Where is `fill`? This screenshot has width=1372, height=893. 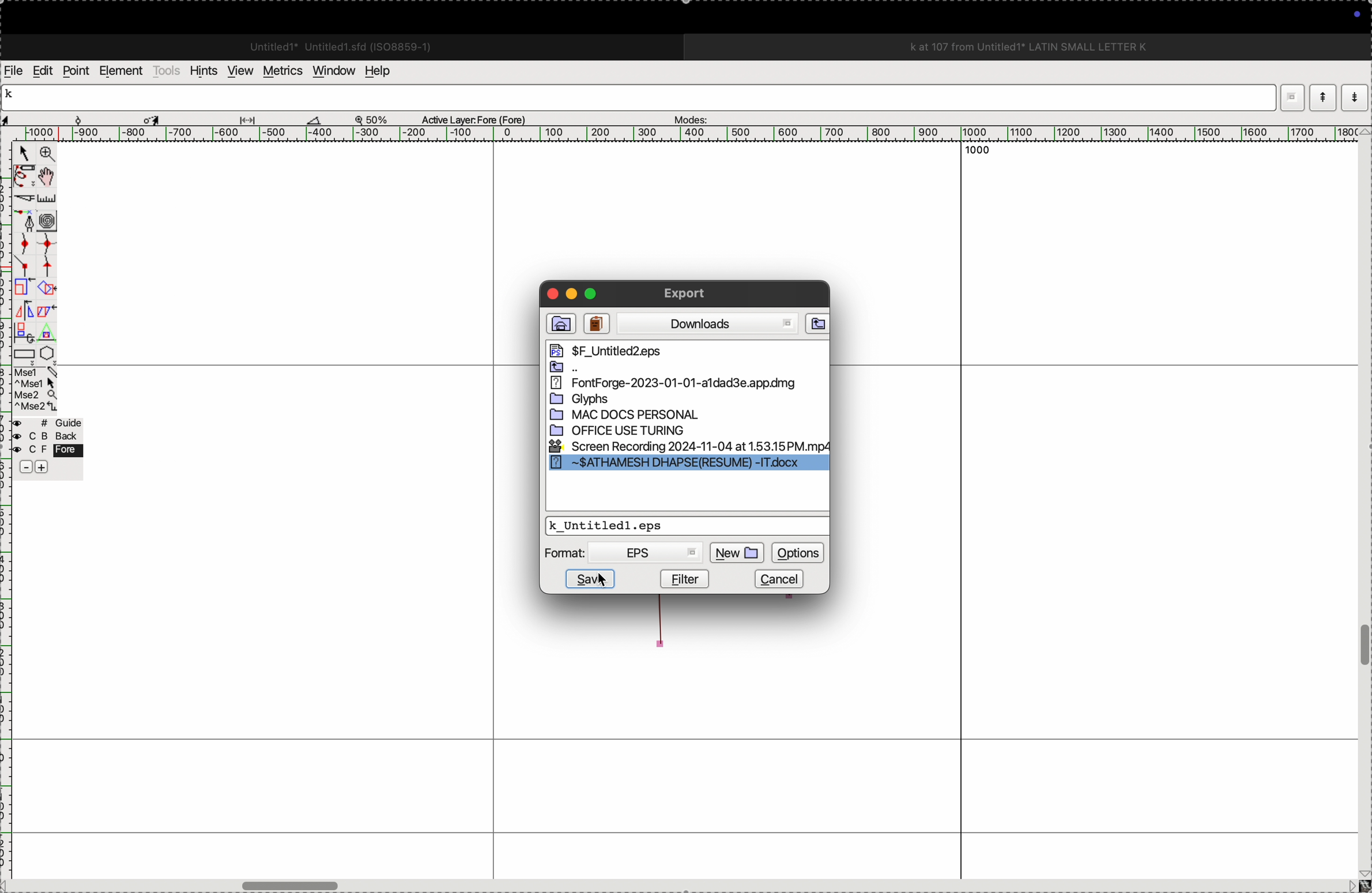
fill is located at coordinates (48, 287).